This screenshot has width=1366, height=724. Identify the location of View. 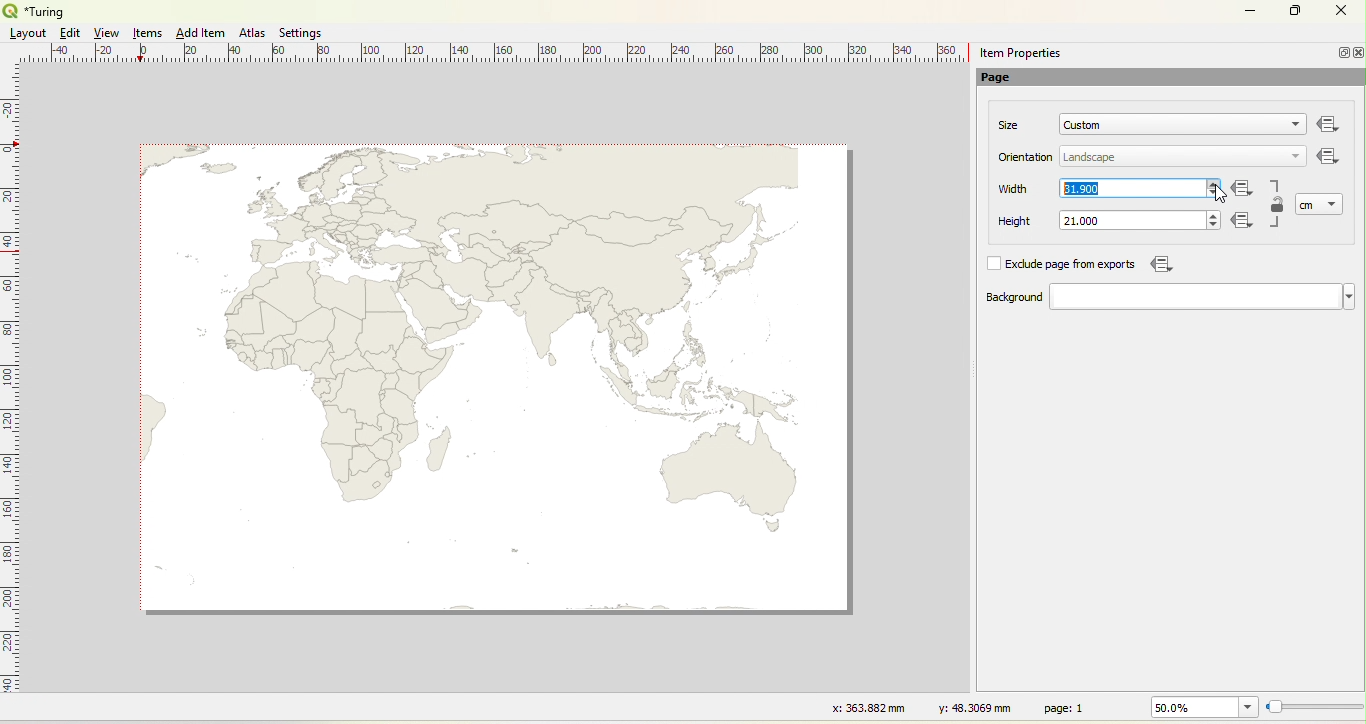
(108, 33).